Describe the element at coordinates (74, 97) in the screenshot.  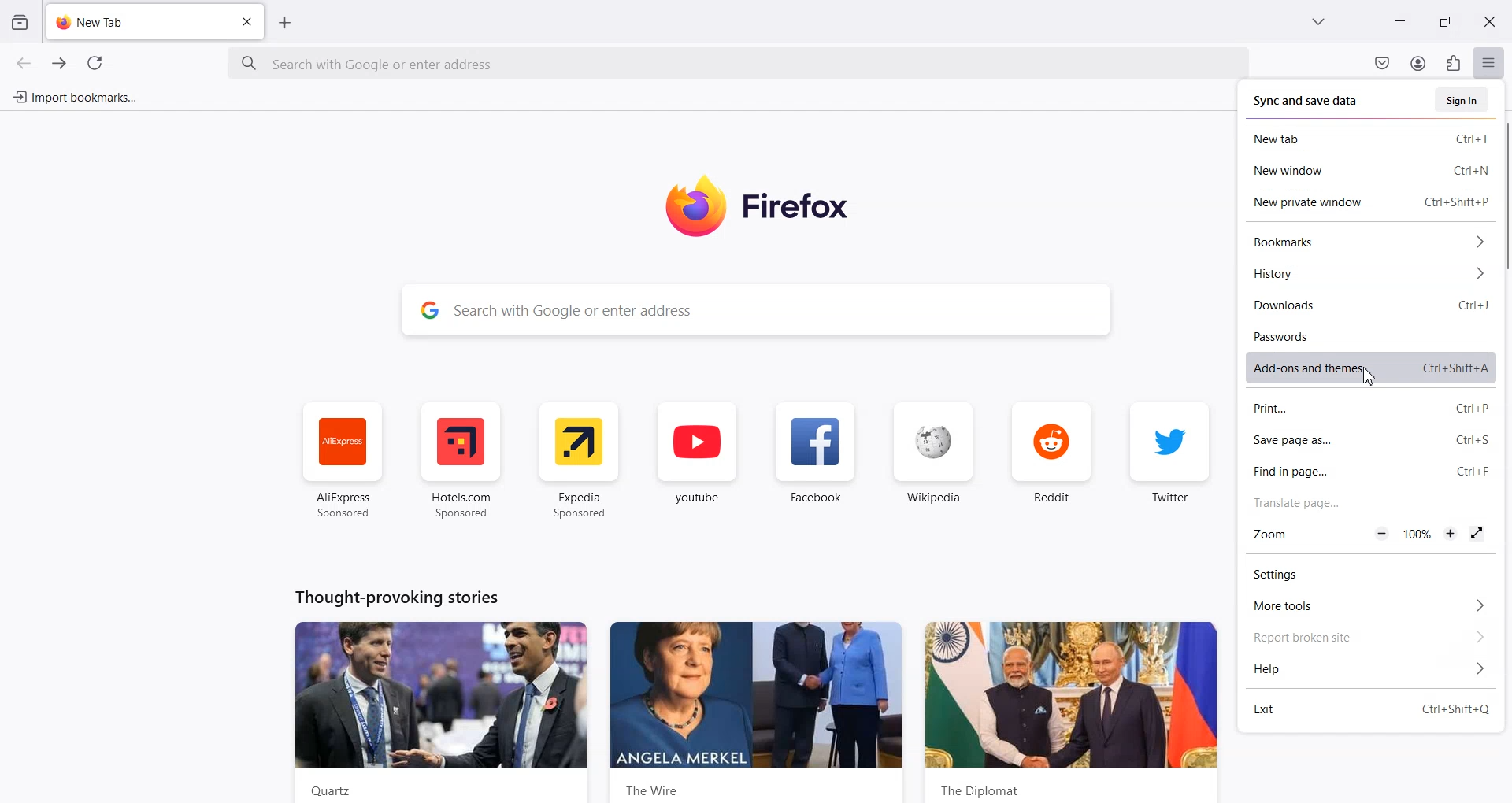
I see `Import bookmarks` at that location.